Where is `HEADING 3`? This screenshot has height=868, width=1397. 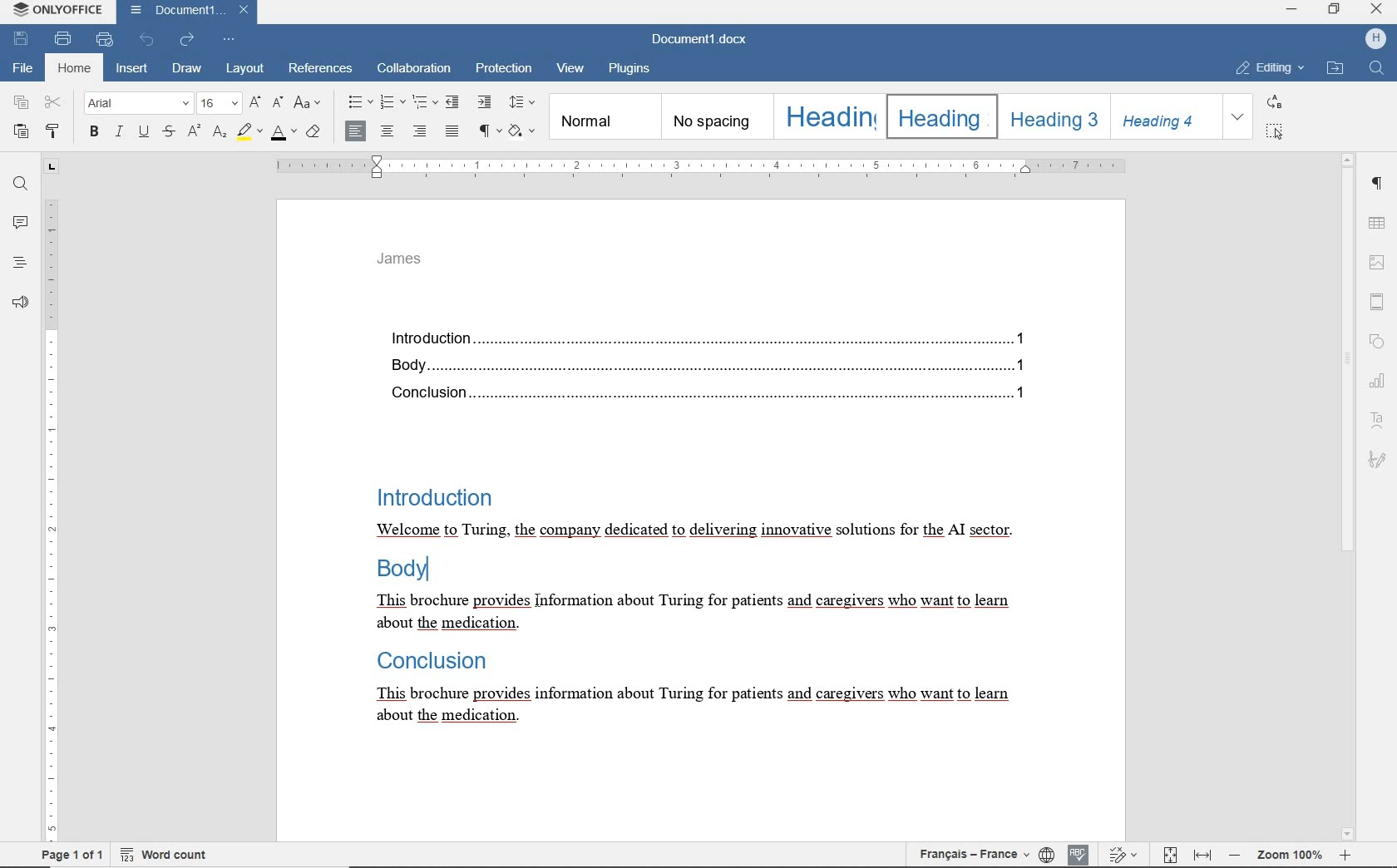 HEADING 3 is located at coordinates (1052, 116).